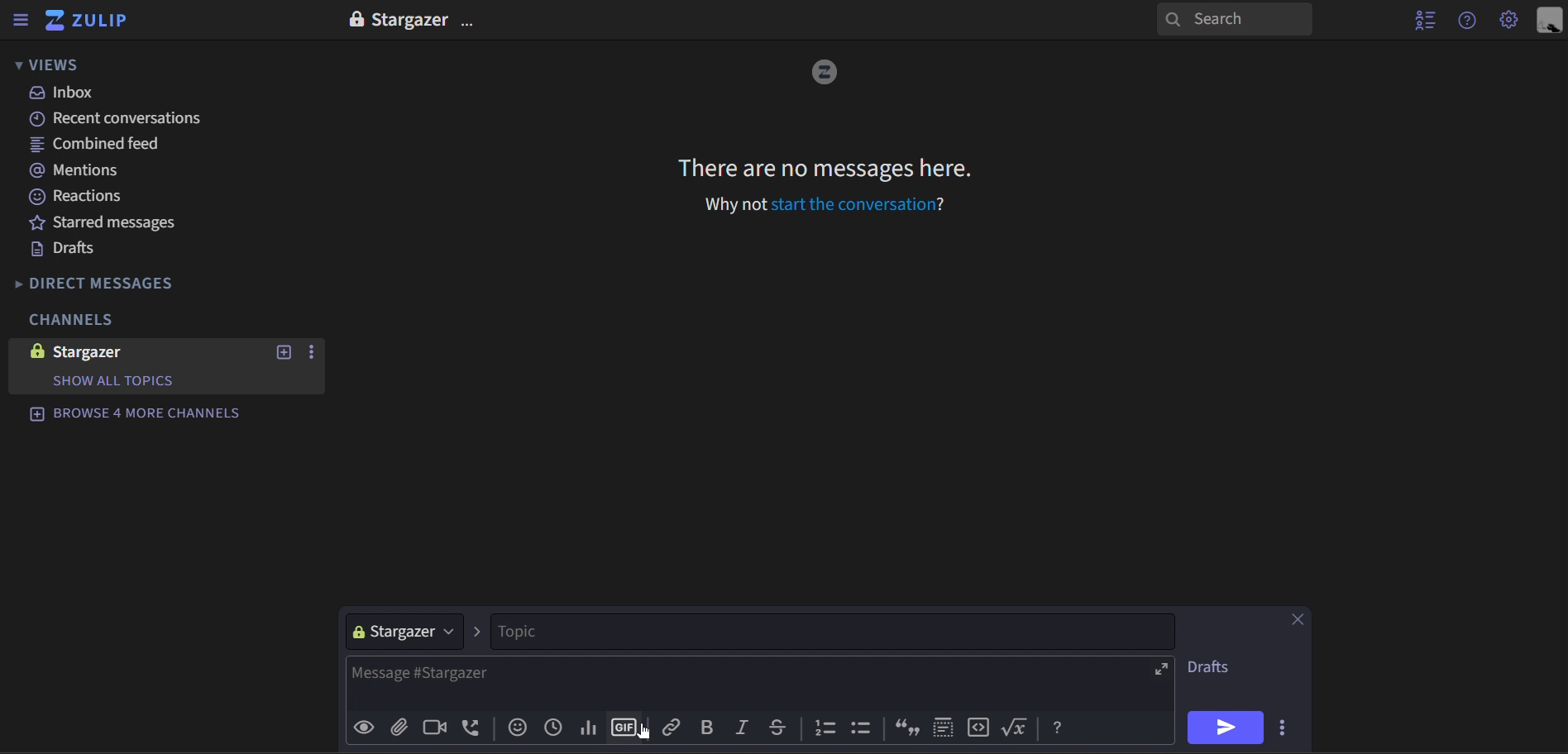 The height and width of the screenshot is (754, 1568). I want to click on Counting bullets, so click(826, 729).